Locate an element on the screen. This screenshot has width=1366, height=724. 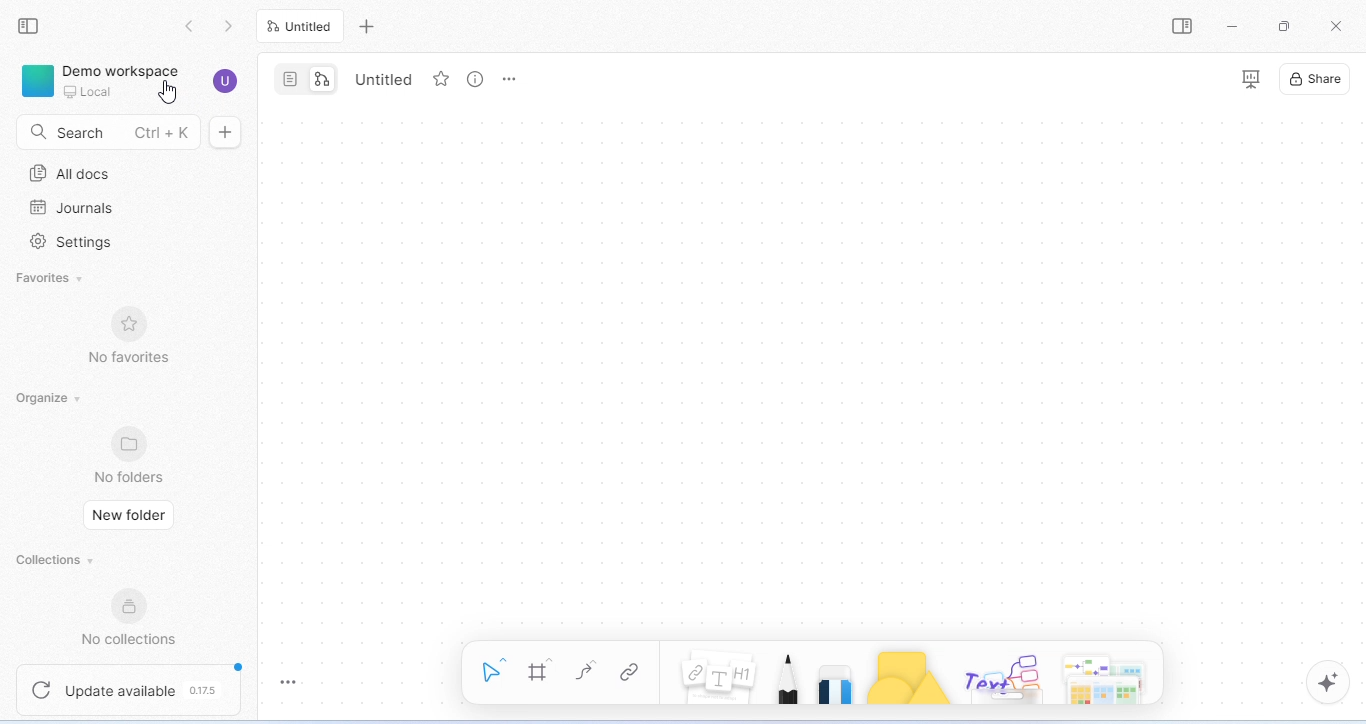
toggle zoom is located at coordinates (289, 678).